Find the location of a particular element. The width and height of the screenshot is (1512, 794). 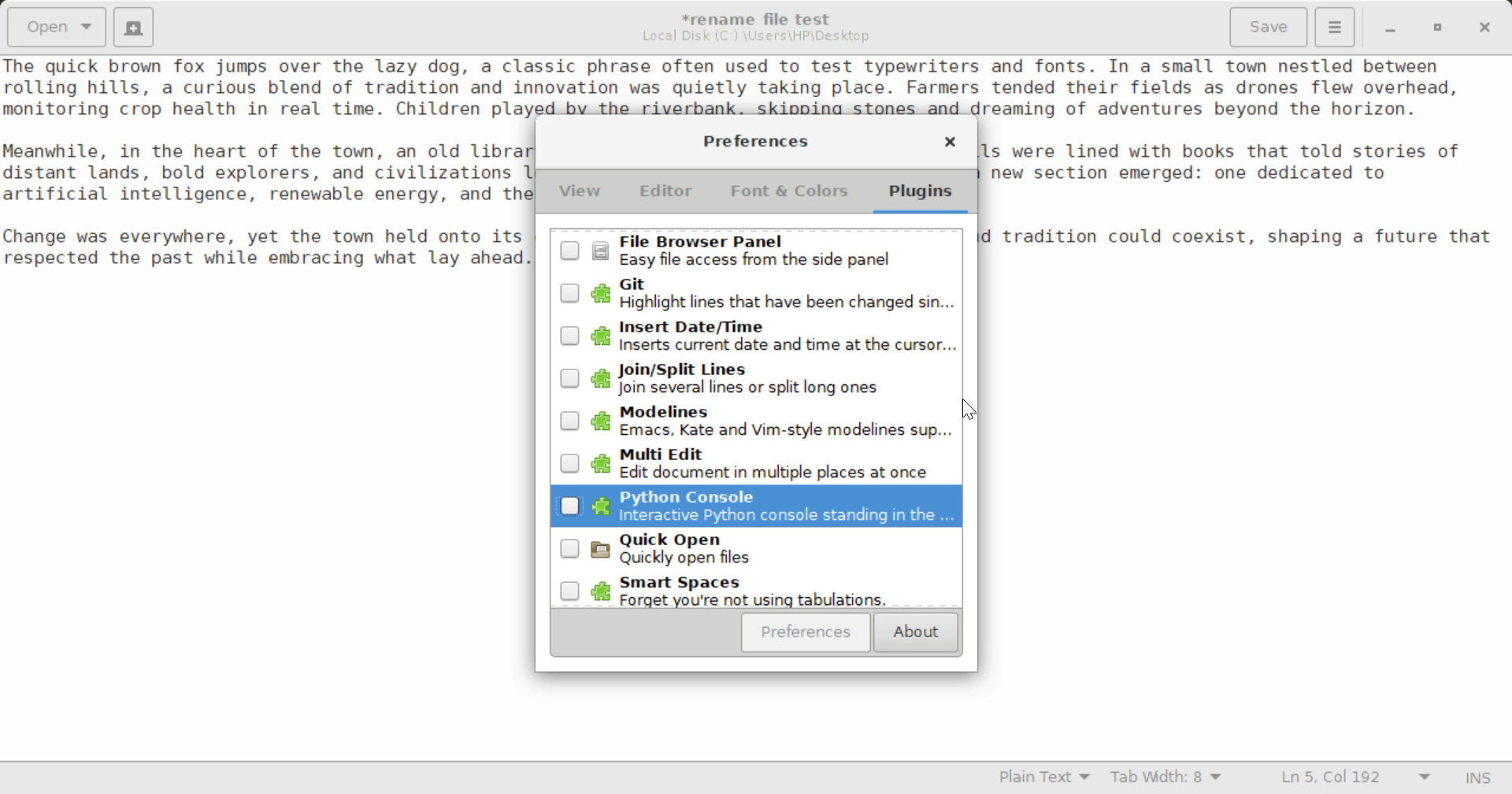

Preferences is located at coordinates (806, 633).